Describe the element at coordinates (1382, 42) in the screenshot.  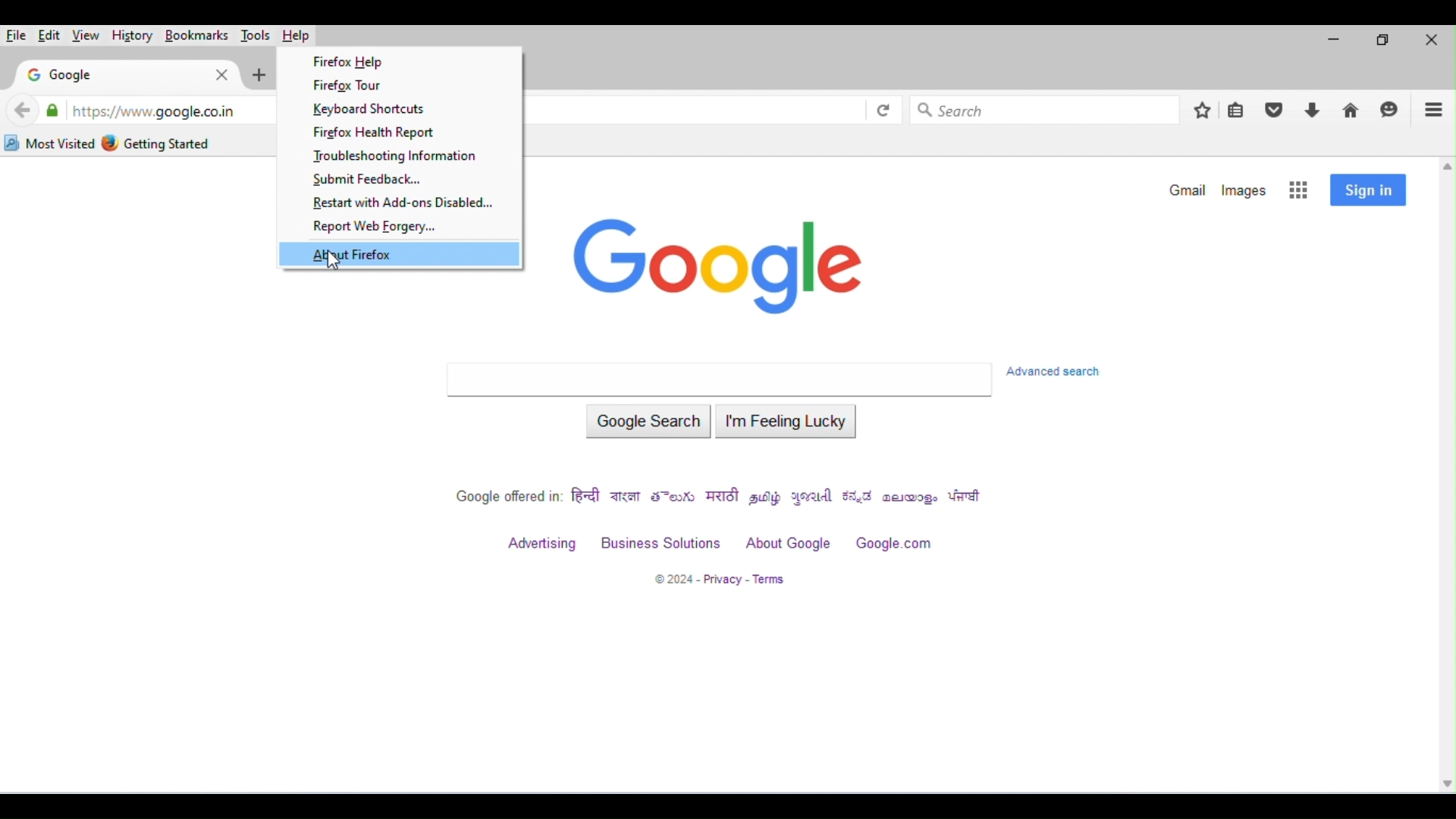
I see `maximize` at that location.